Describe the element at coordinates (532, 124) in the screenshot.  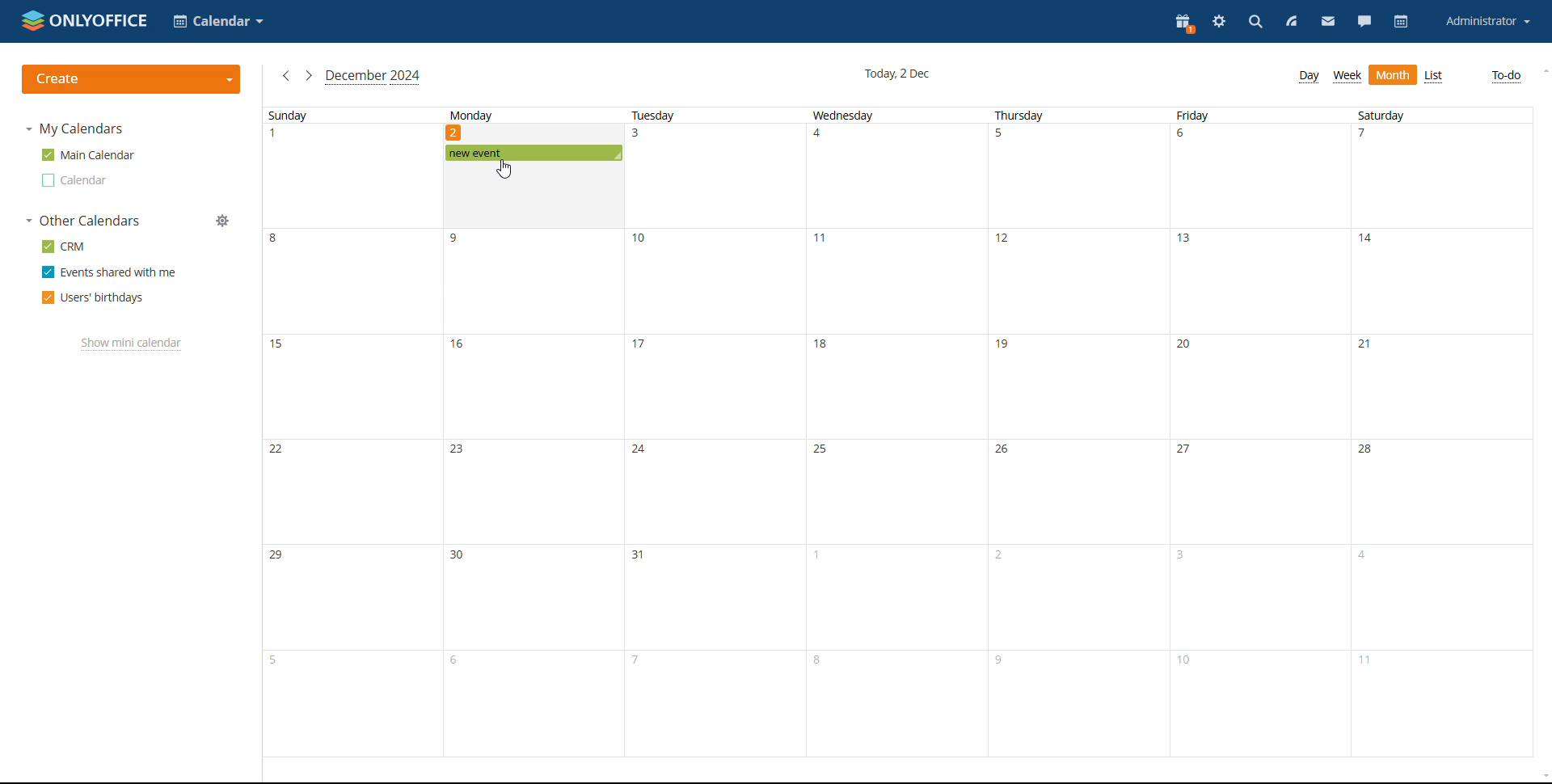
I see `monday` at that location.